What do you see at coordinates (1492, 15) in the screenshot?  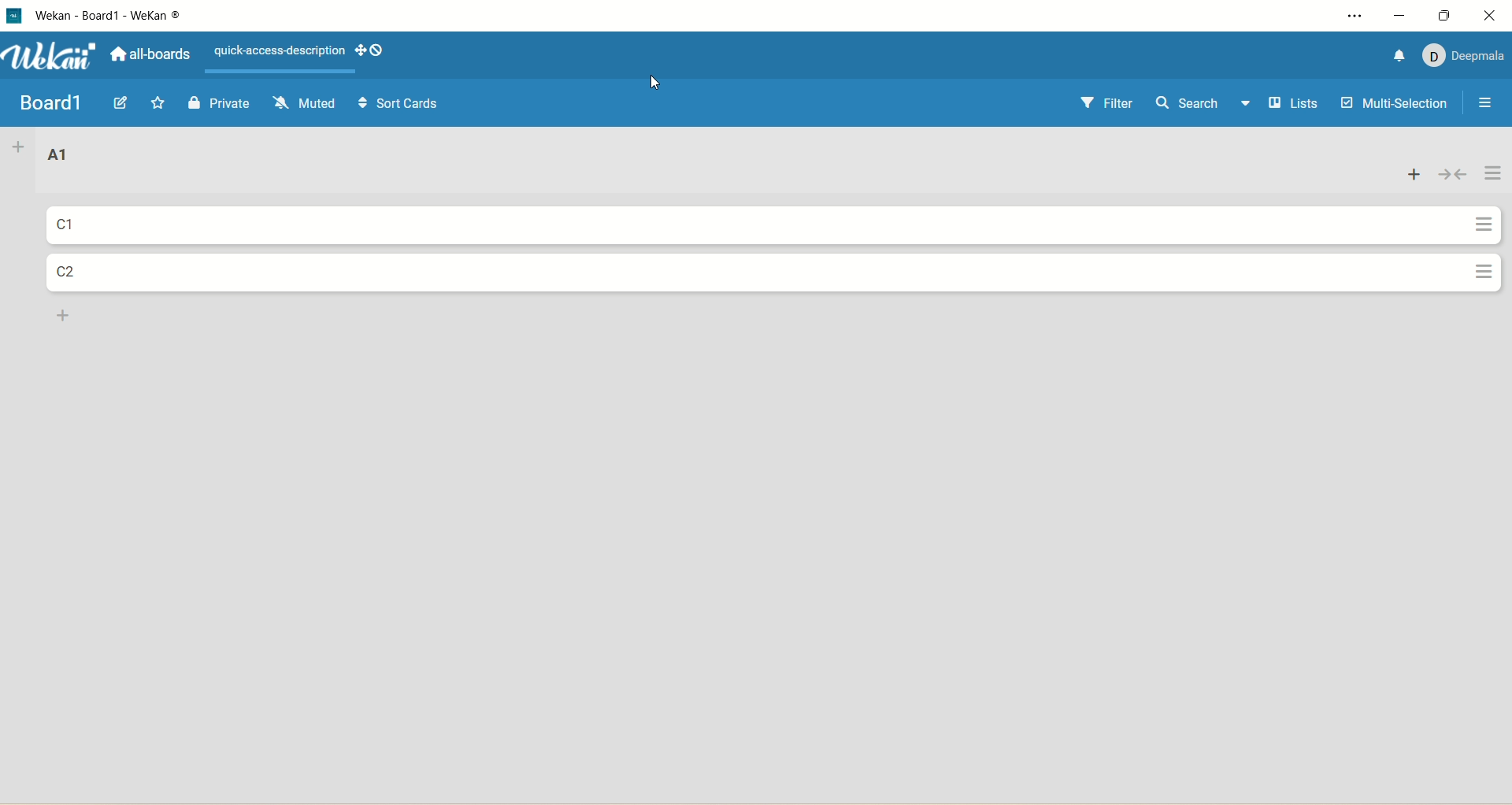 I see `close` at bounding box center [1492, 15].